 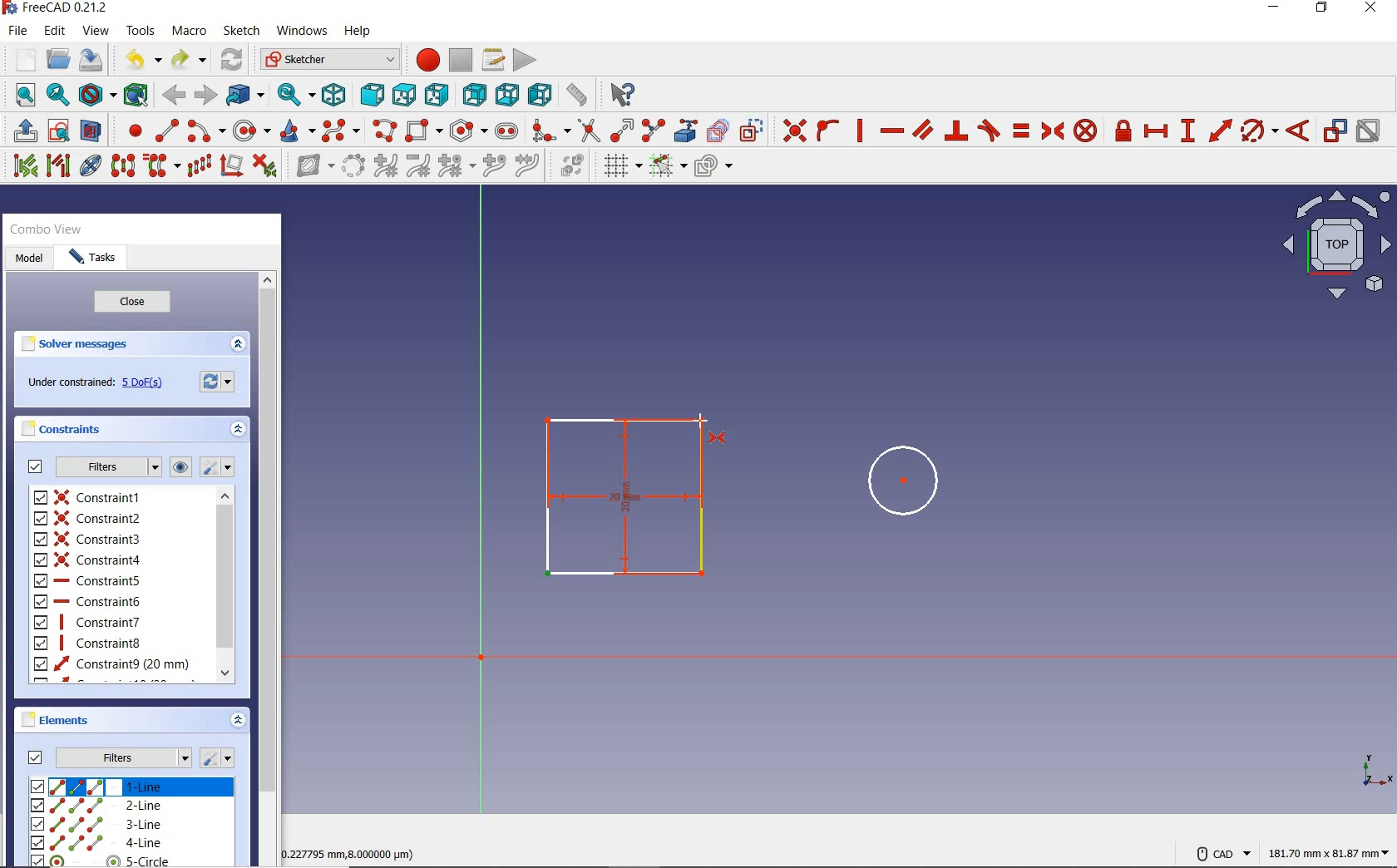 I want to click on extend edge, so click(x=621, y=129).